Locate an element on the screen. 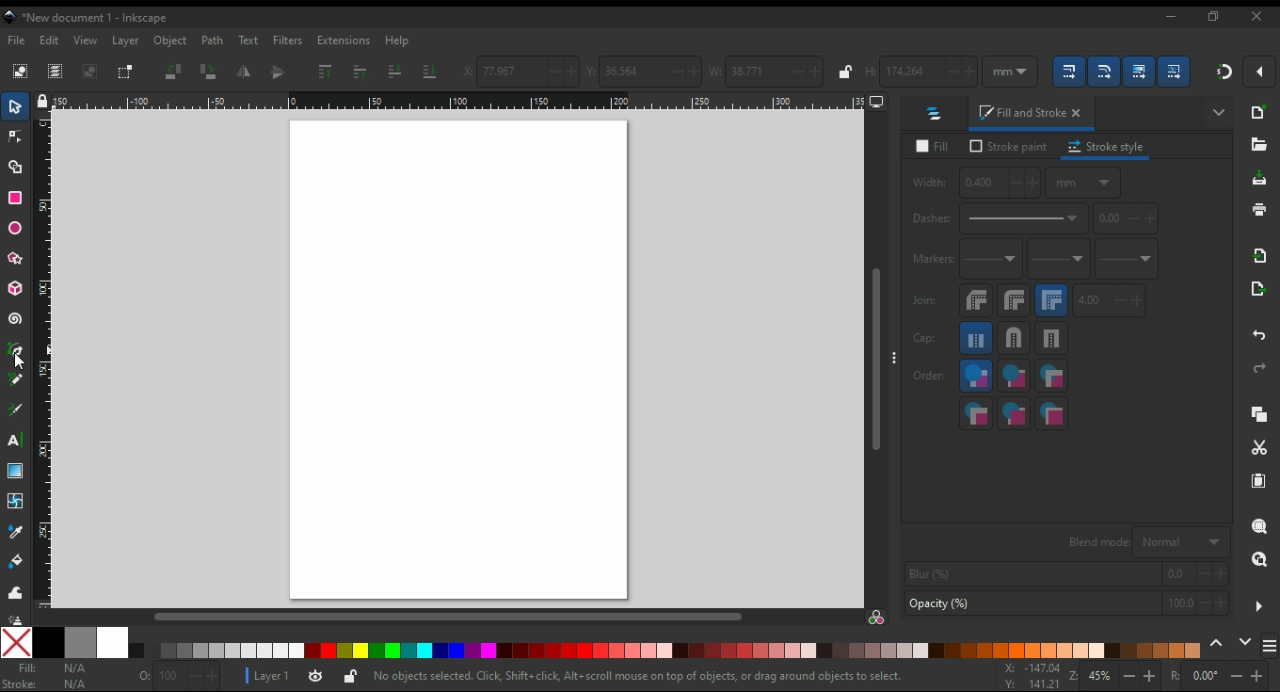 This screenshot has width=1280, height=692. gradient tool is located at coordinates (16, 471).